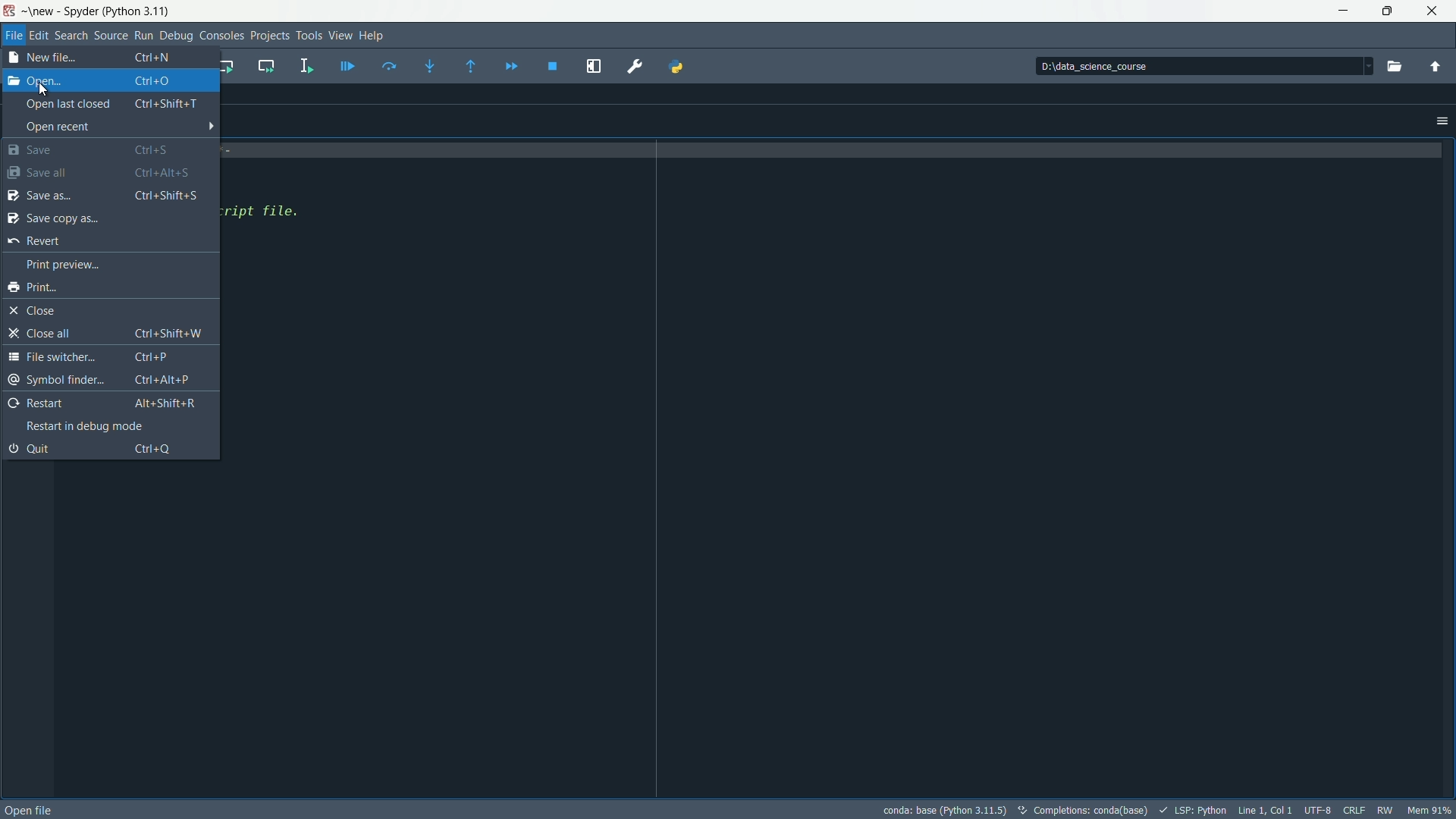  I want to click on close, so click(1433, 11).